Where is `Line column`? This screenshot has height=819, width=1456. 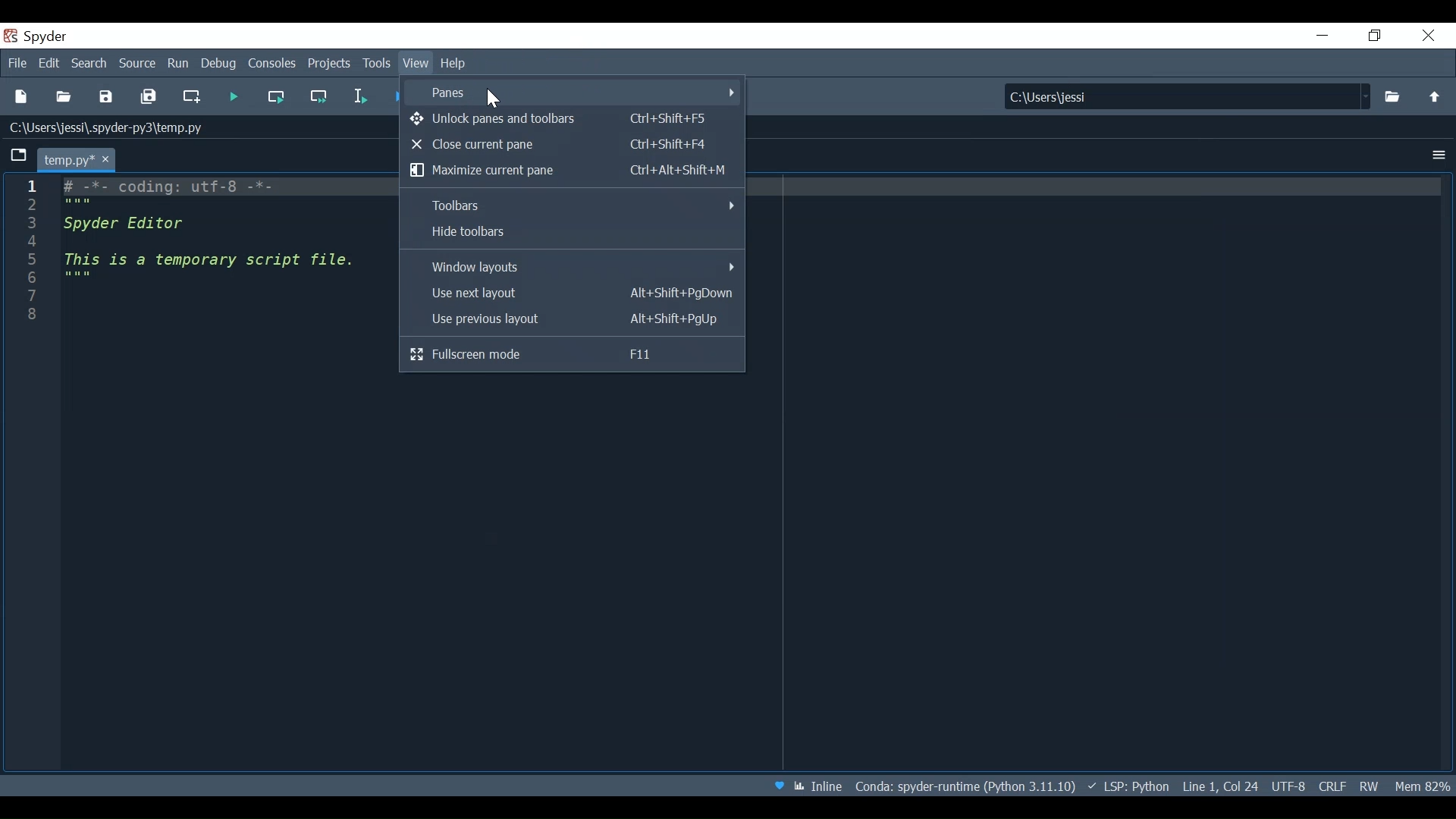 Line column is located at coordinates (29, 257).